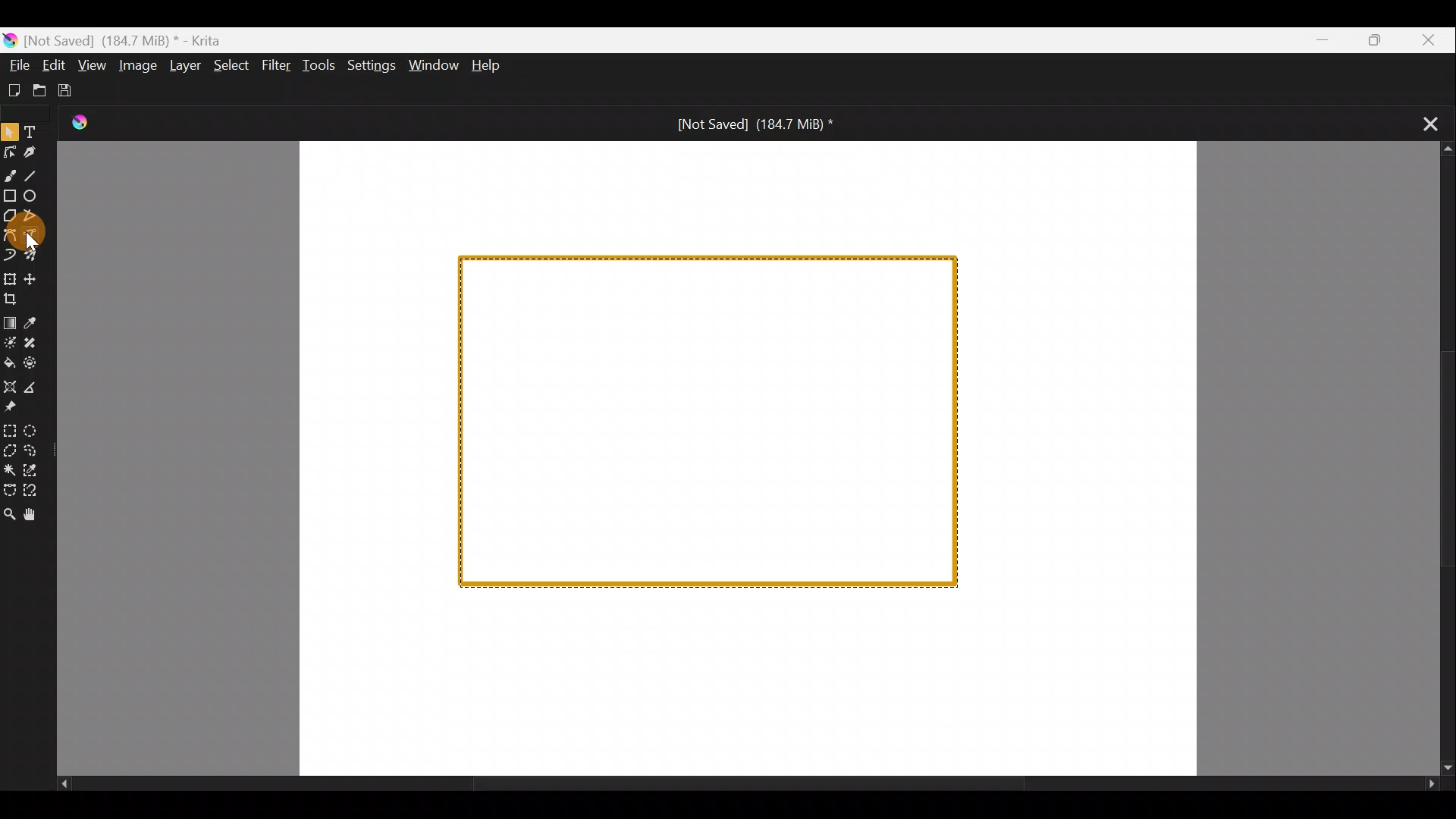 This screenshot has height=819, width=1456. Describe the element at coordinates (9, 215) in the screenshot. I see `Polygon tool` at that location.